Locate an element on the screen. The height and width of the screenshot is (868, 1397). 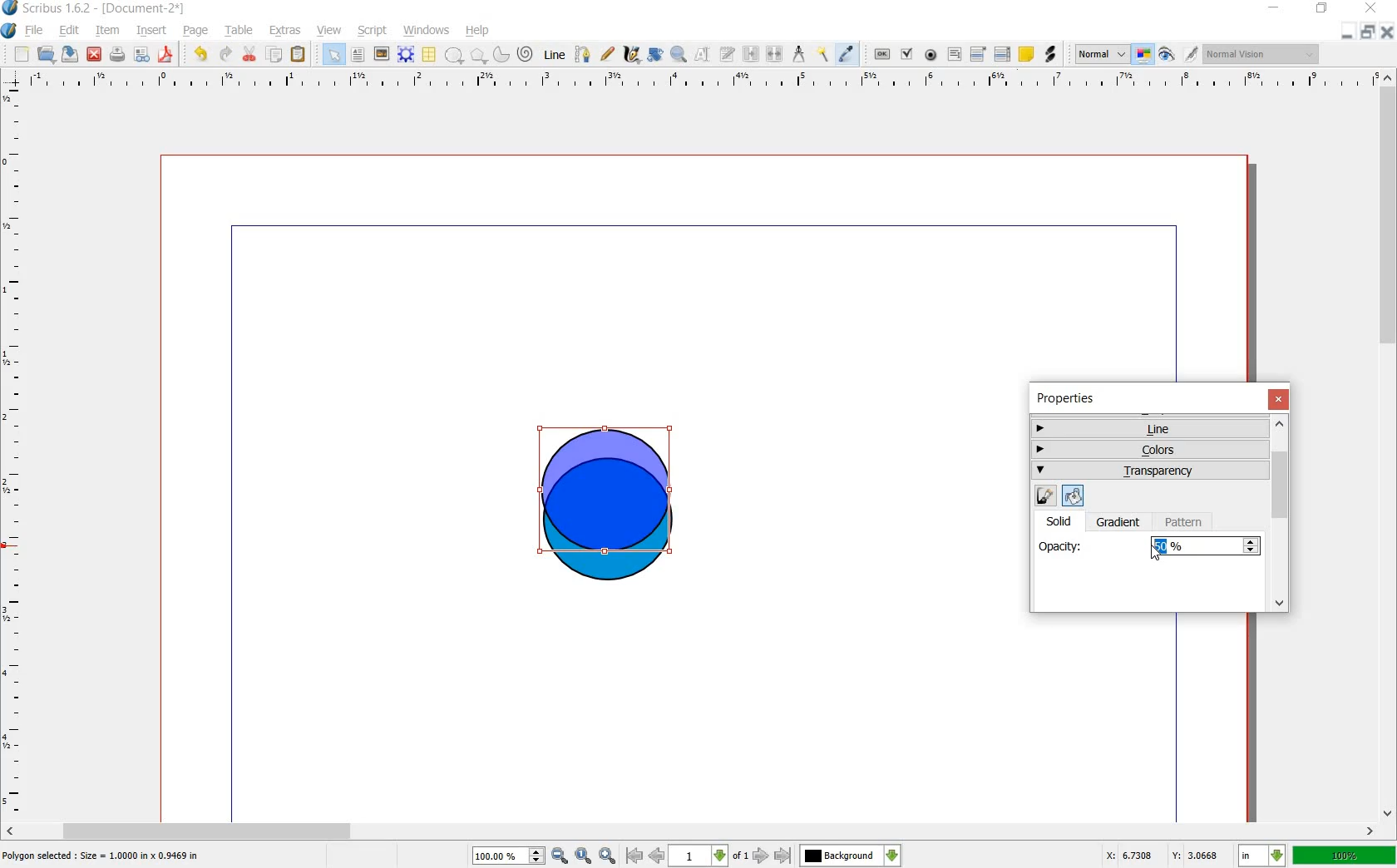
1 is located at coordinates (698, 856).